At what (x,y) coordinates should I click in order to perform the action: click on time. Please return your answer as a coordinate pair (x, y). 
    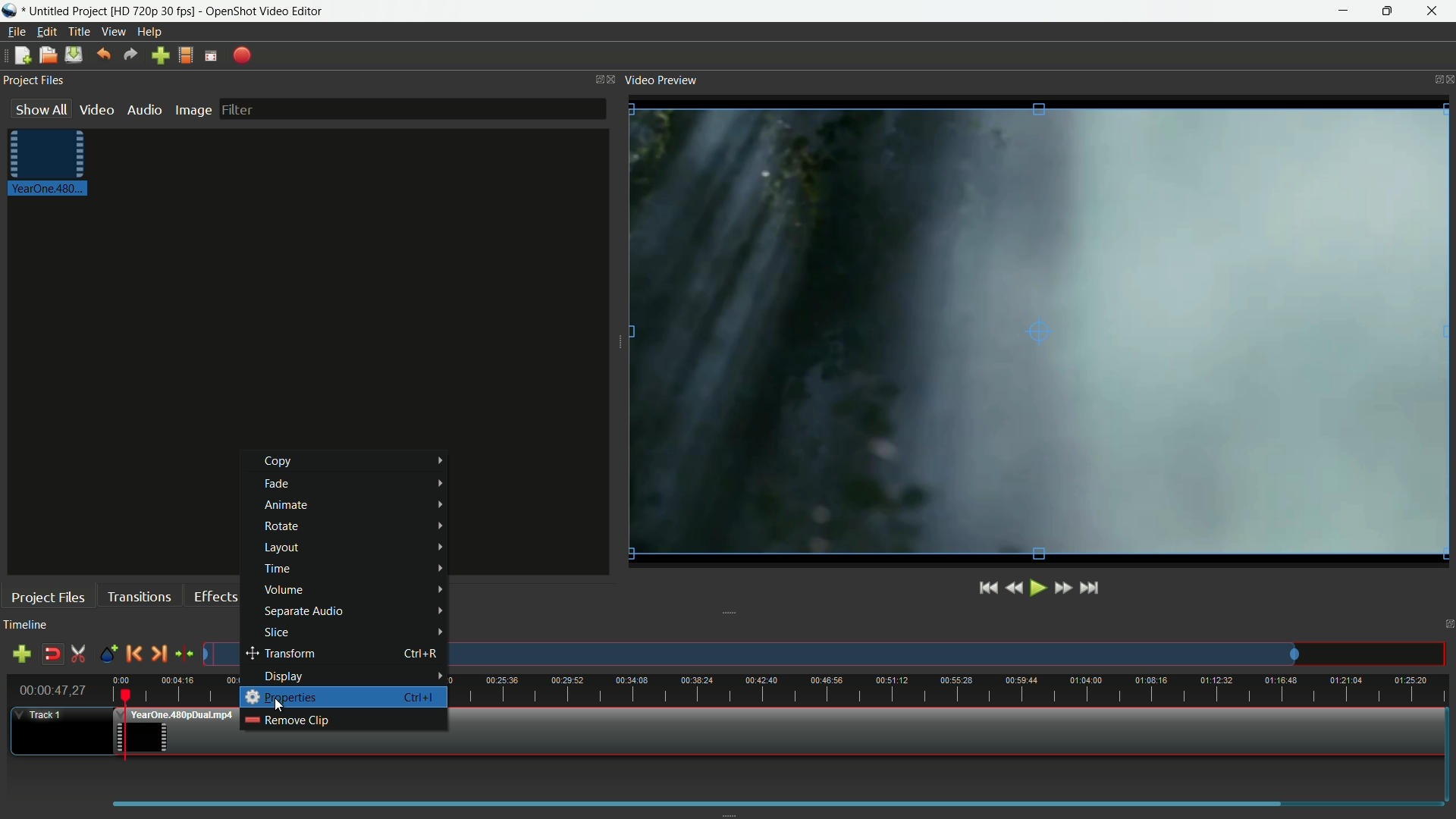
    Looking at the image, I should click on (354, 569).